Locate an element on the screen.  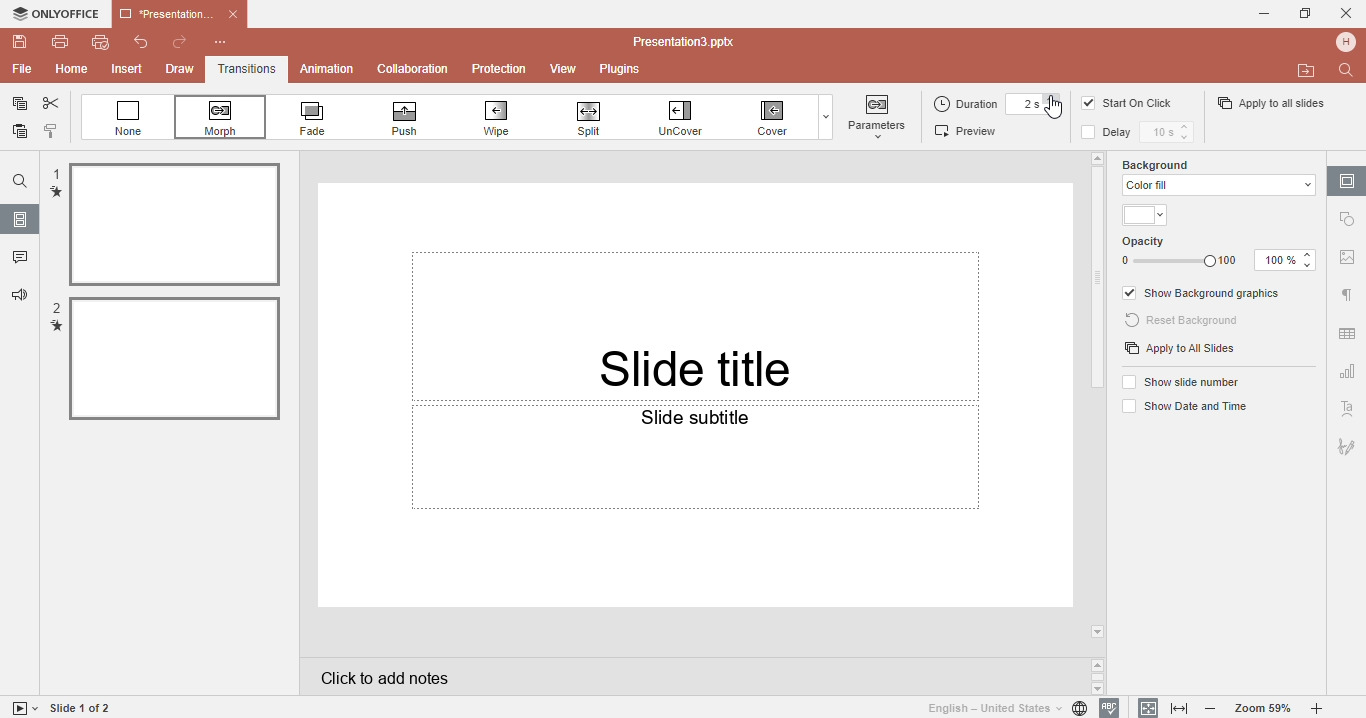
Click to add notes is located at coordinates (692, 676).